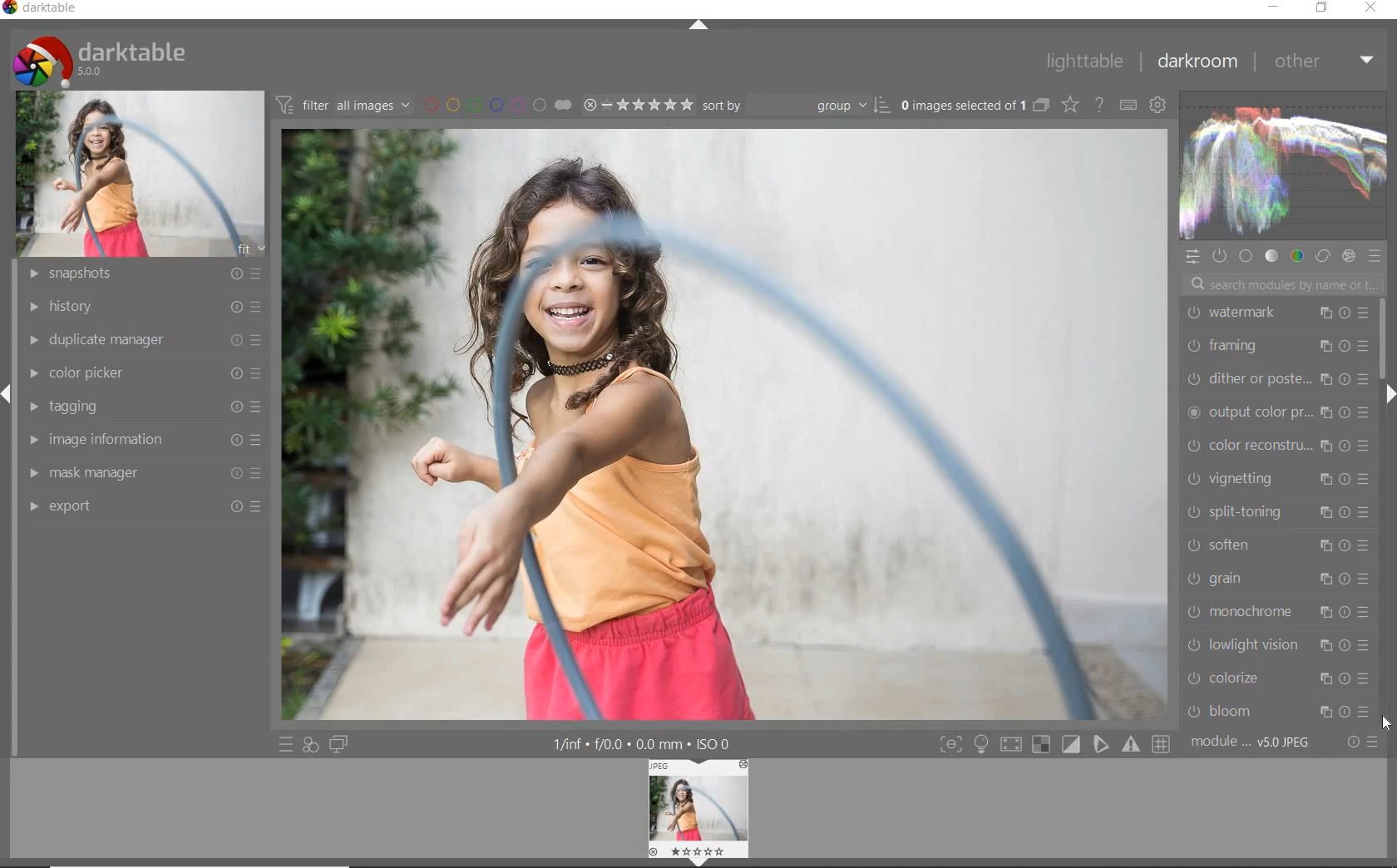 The width and height of the screenshot is (1397, 868). I want to click on tone, so click(1271, 255).